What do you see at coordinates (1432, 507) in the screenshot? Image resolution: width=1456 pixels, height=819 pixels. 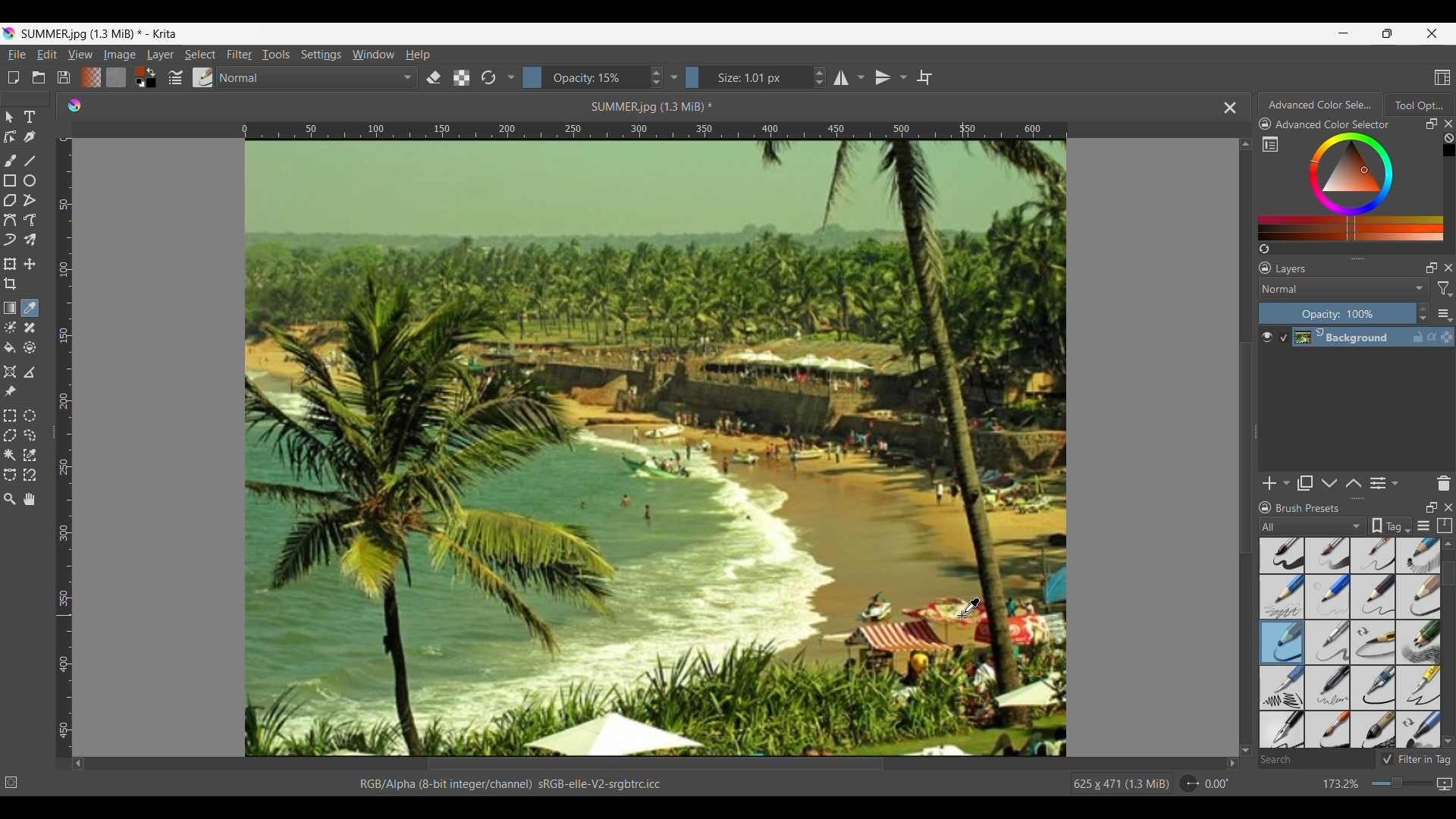 I see `Float` at bounding box center [1432, 507].